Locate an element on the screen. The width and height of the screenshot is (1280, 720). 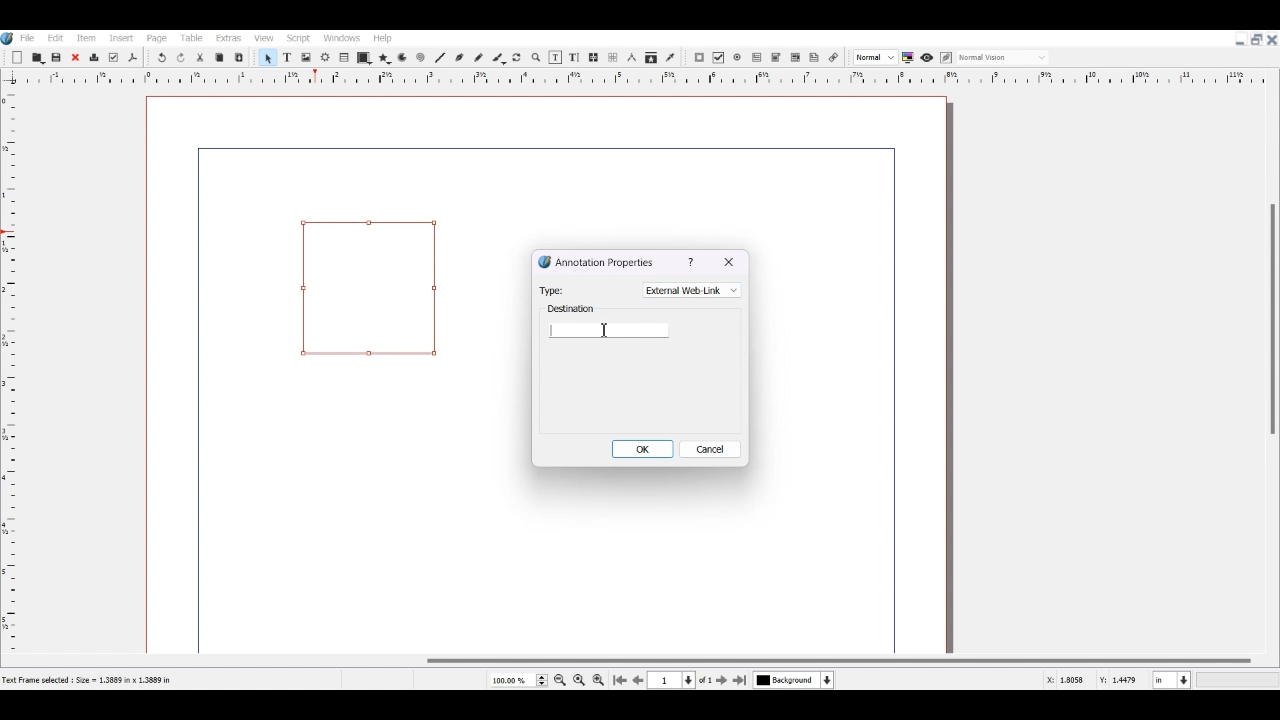
Redo is located at coordinates (182, 58).